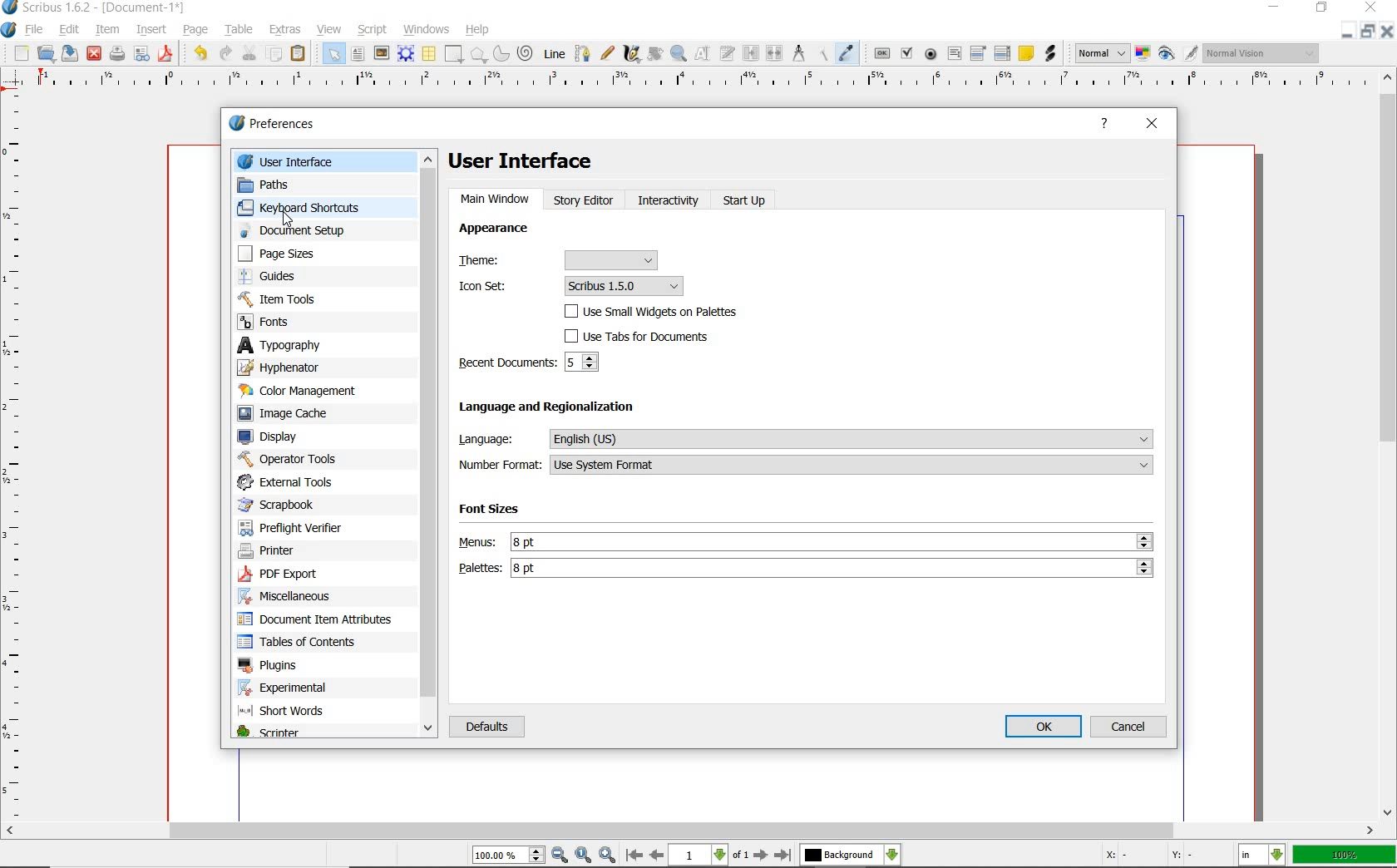 Image resolution: width=1397 pixels, height=868 pixels. Describe the element at coordinates (500, 512) in the screenshot. I see `font sizes` at that location.